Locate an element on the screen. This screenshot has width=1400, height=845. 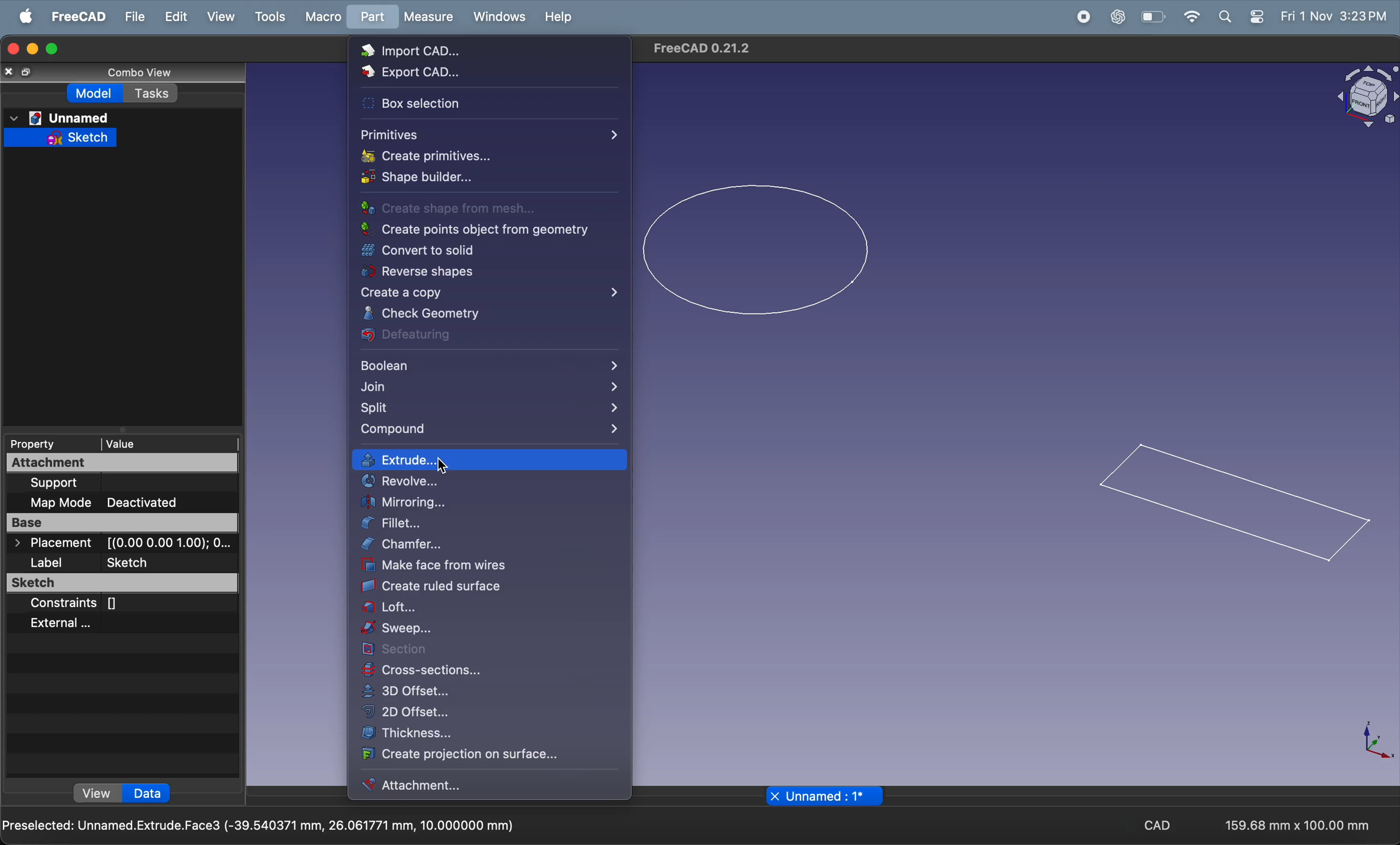
Section is located at coordinates (456, 650).